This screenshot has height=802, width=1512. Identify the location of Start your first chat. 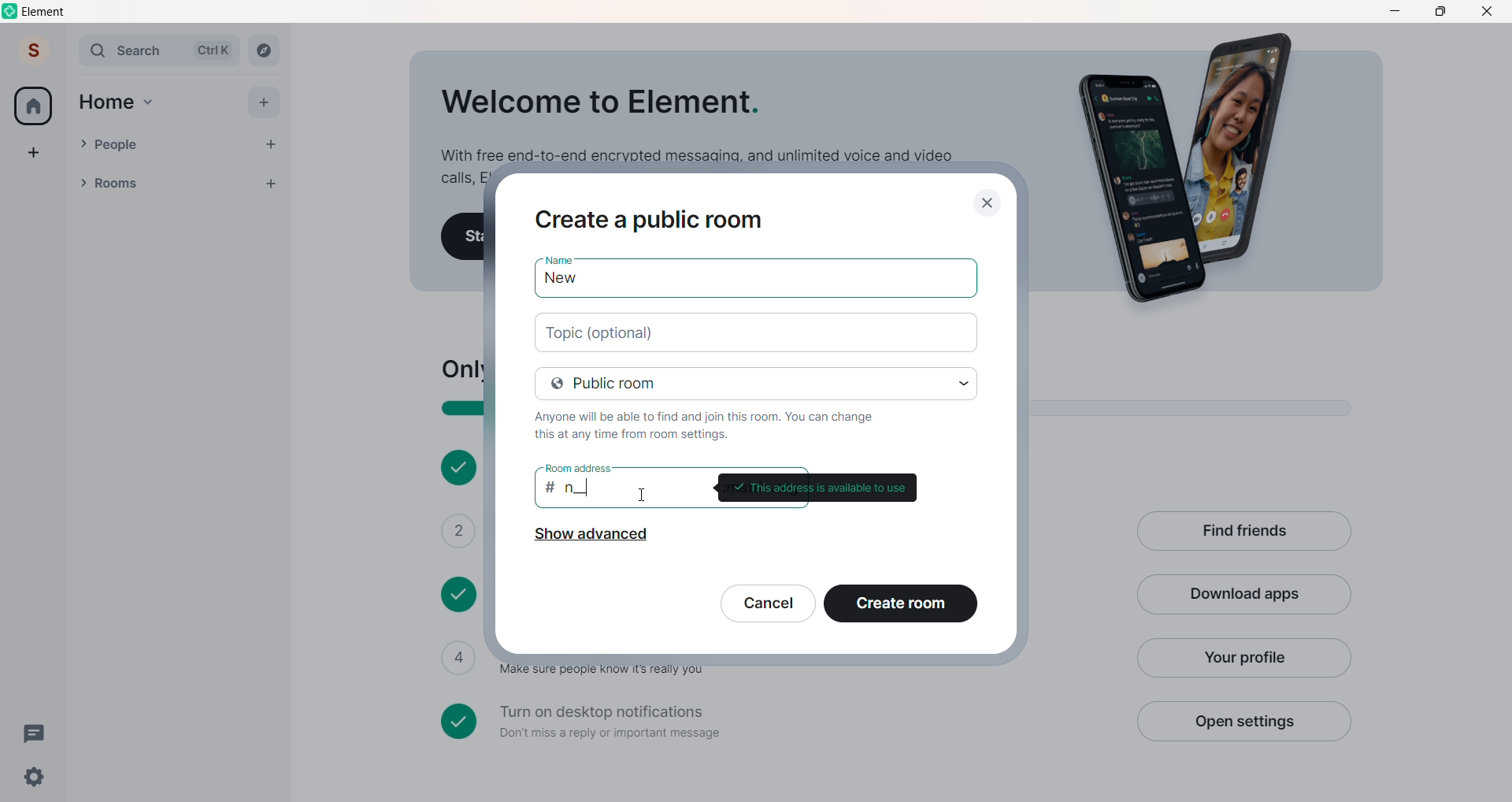
(463, 237).